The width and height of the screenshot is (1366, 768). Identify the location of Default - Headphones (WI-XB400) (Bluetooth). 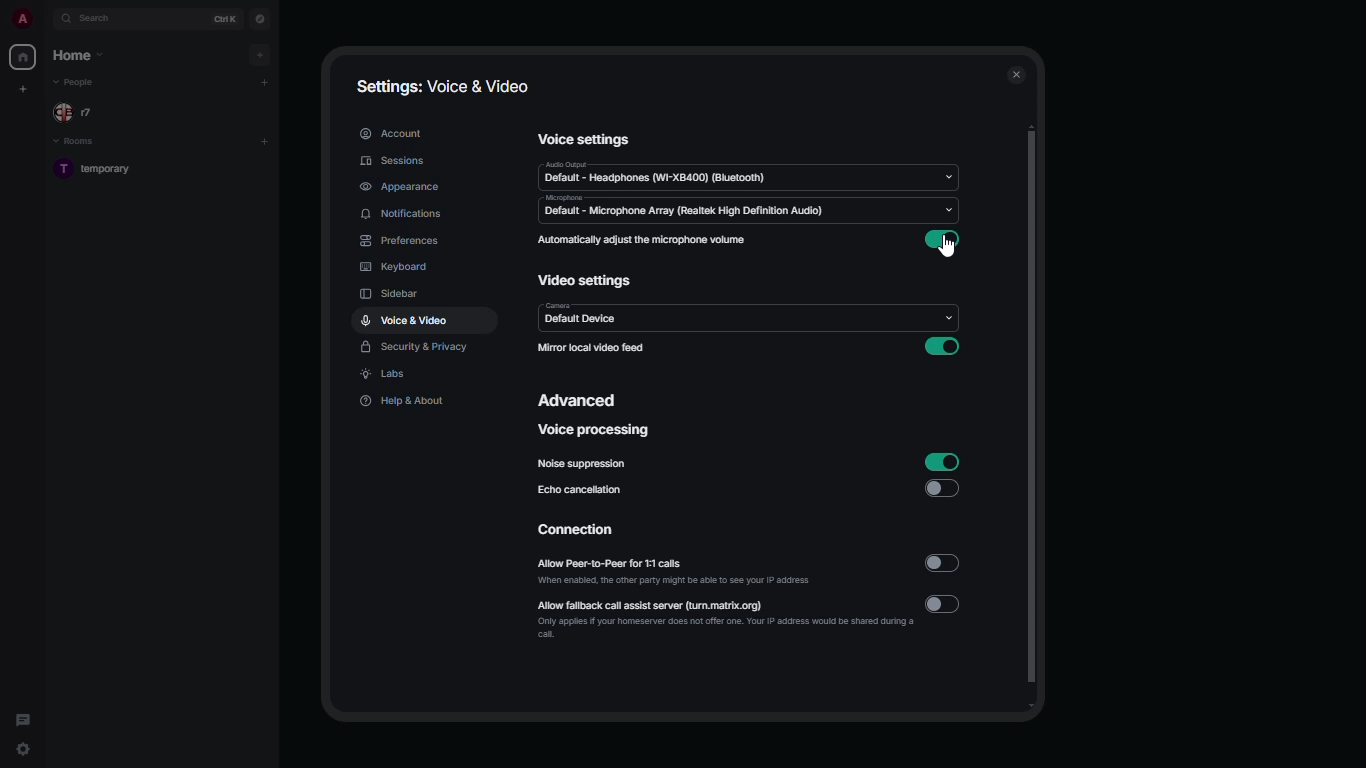
(674, 175).